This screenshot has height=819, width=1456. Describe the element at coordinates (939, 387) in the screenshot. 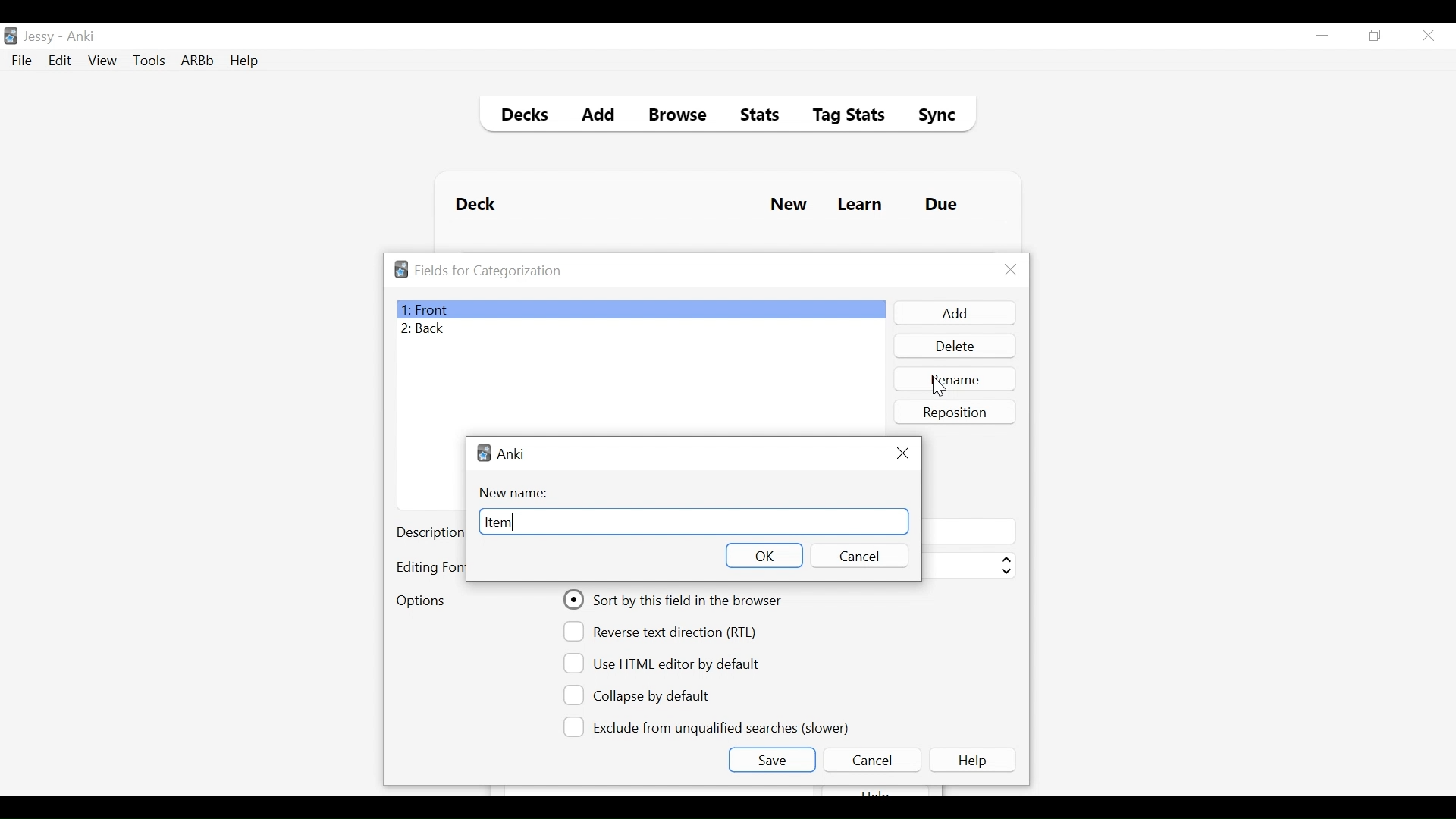

I see `Cursor` at that location.